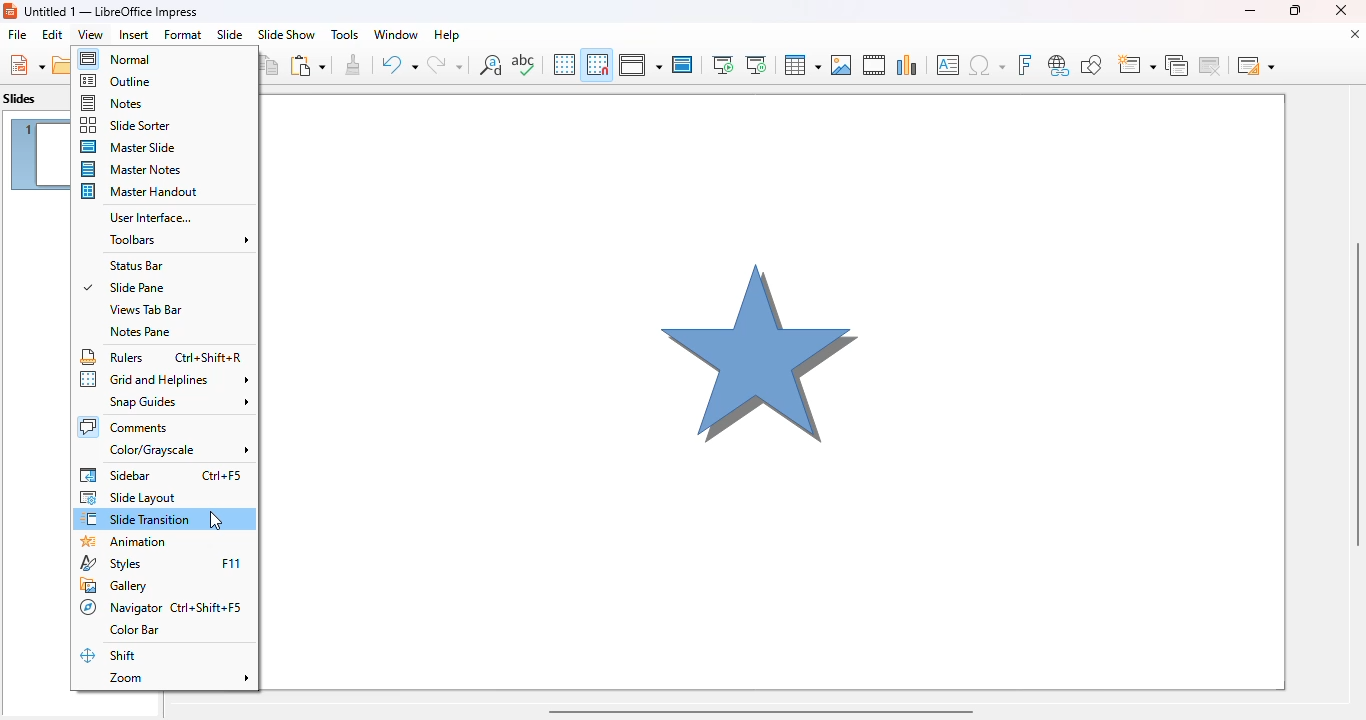 This screenshot has height=720, width=1366. What do you see at coordinates (136, 518) in the screenshot?
I see `slide transition` at bounding box center [136, 518].